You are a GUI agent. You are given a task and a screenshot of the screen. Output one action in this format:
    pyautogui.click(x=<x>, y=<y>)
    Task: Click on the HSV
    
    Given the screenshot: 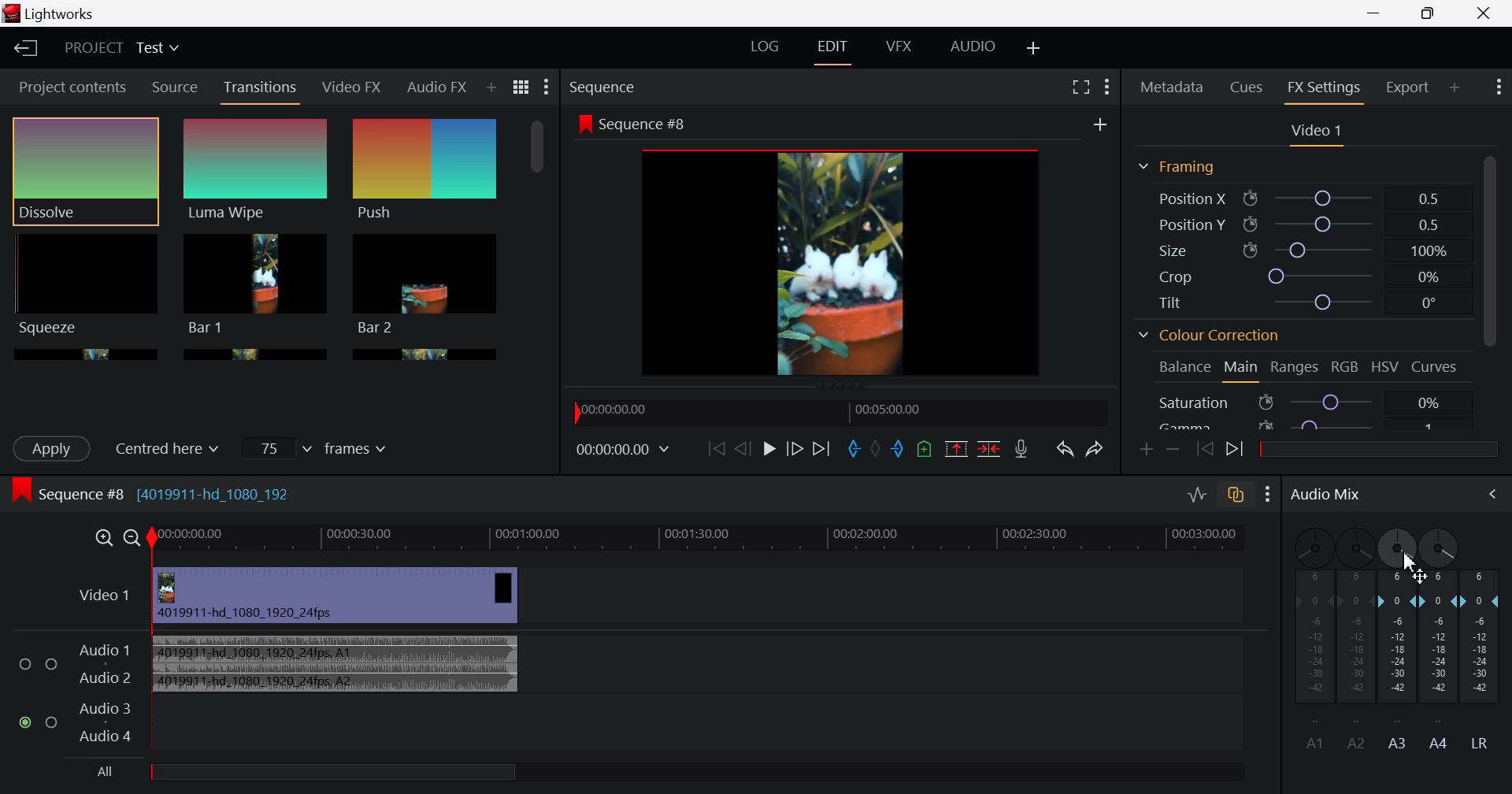 What is the action you would take?
    pyautogui.click(x=1385, y=369)
    